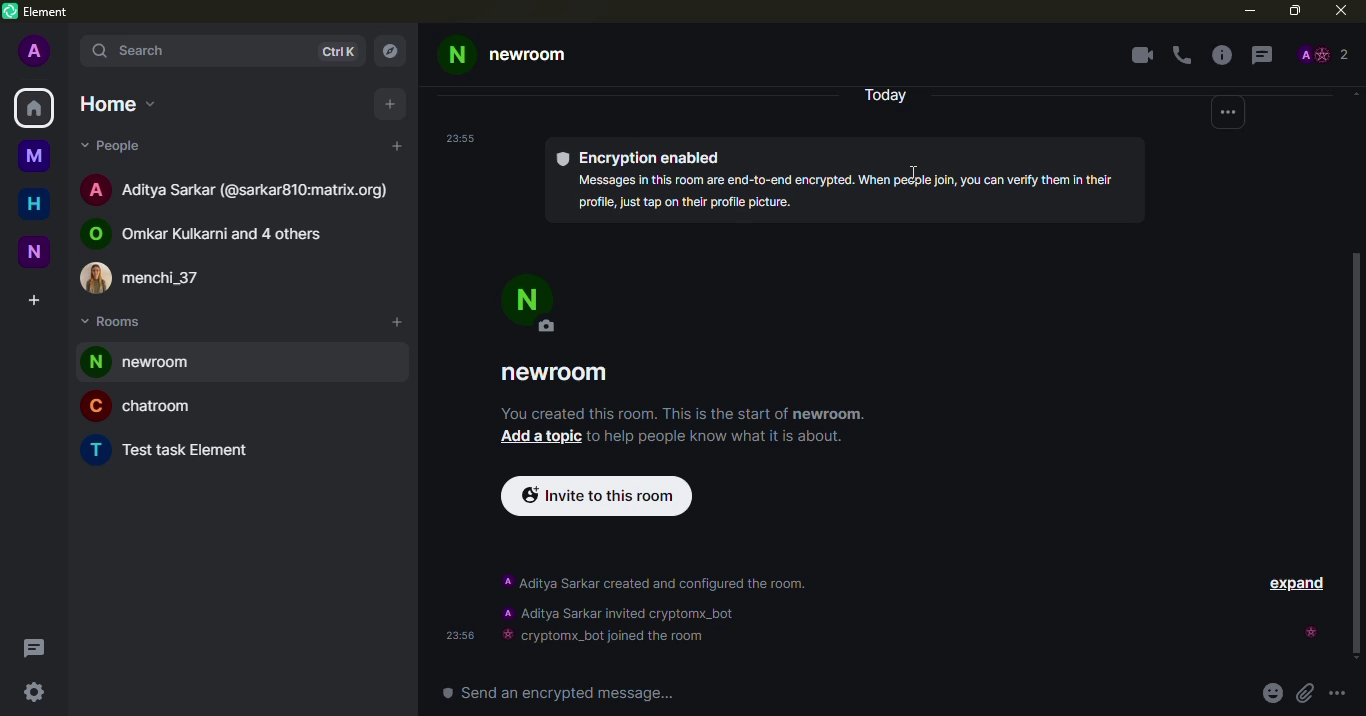 The width and height of the screenshot is (1366, 716). I want to click on time, so click(454, 635).